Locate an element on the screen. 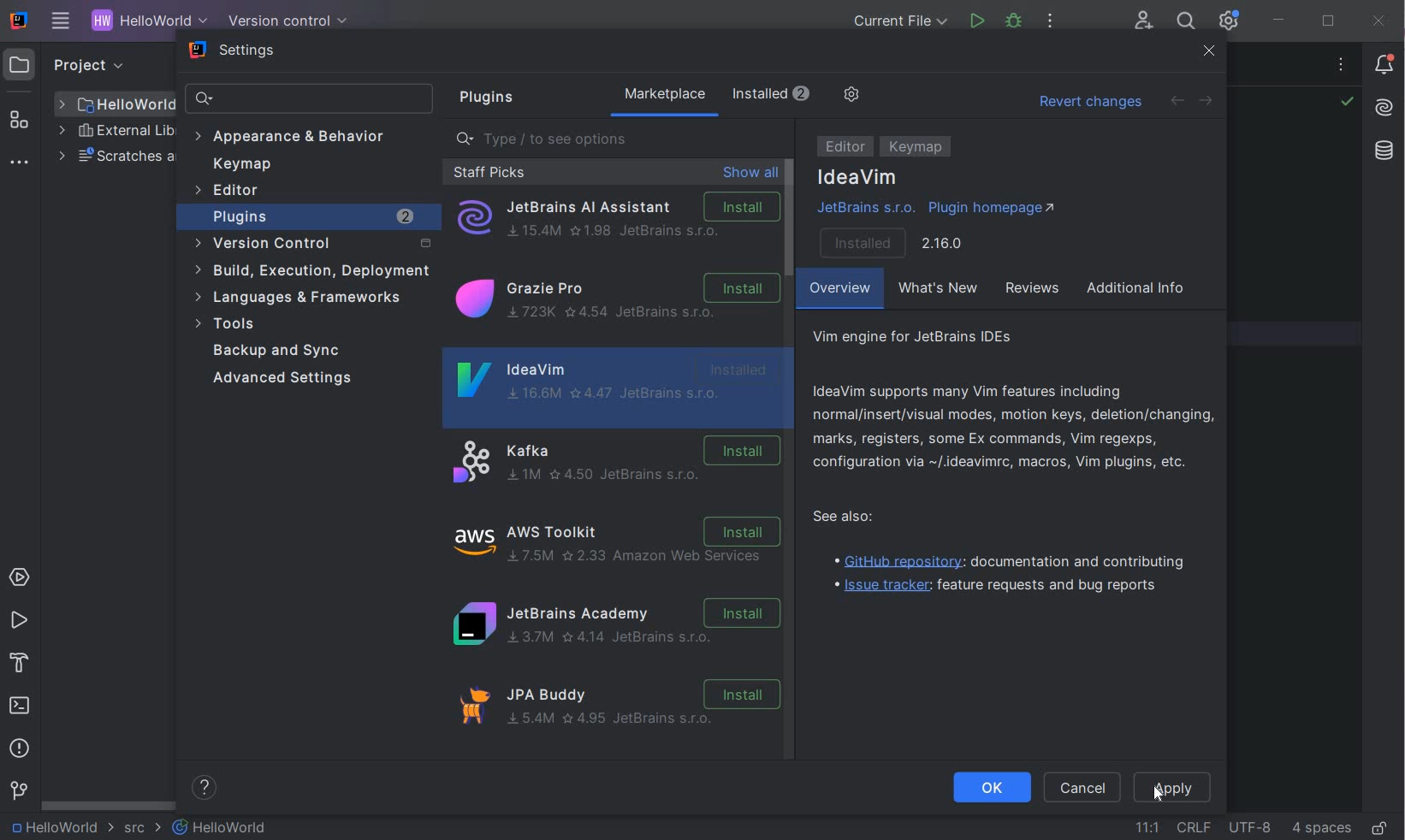 The height and width of the screenshot is (840, 1405). overview is located at coordinates (840, 290).